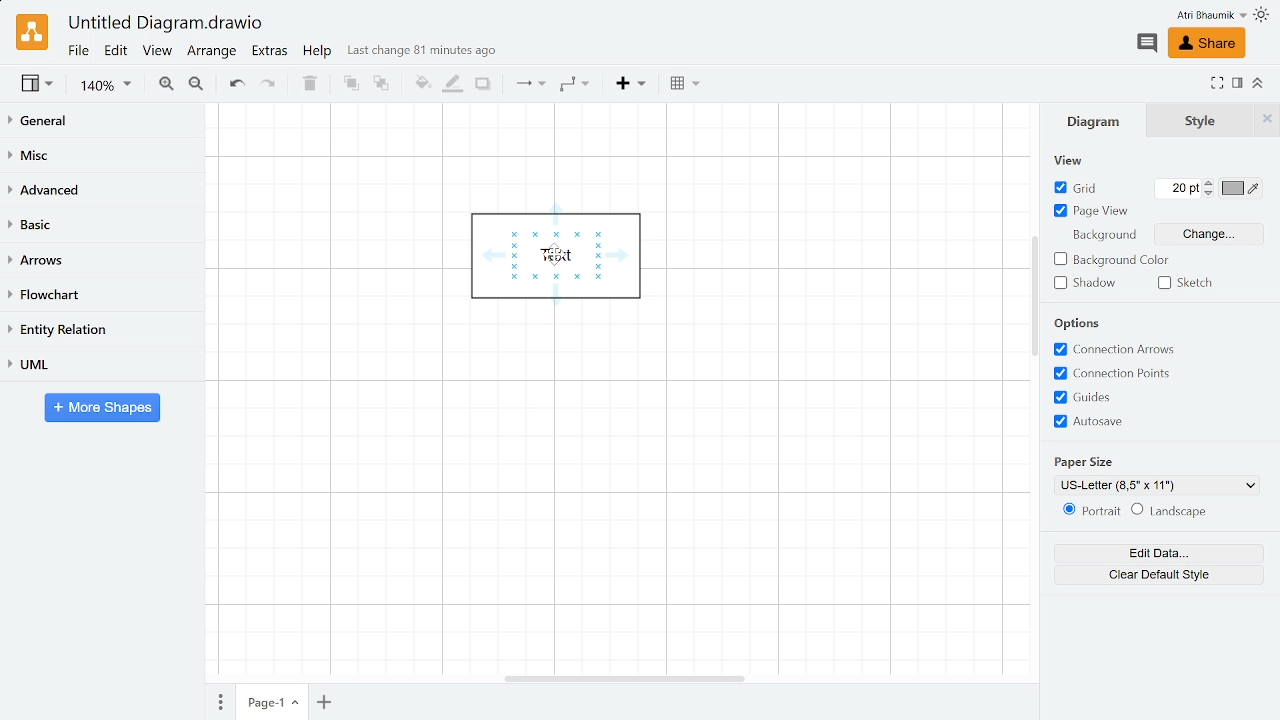 The image size is (1280, 720). Describe the element at coordinates (1107, 237) in the screenshot. I see `background` at that location.